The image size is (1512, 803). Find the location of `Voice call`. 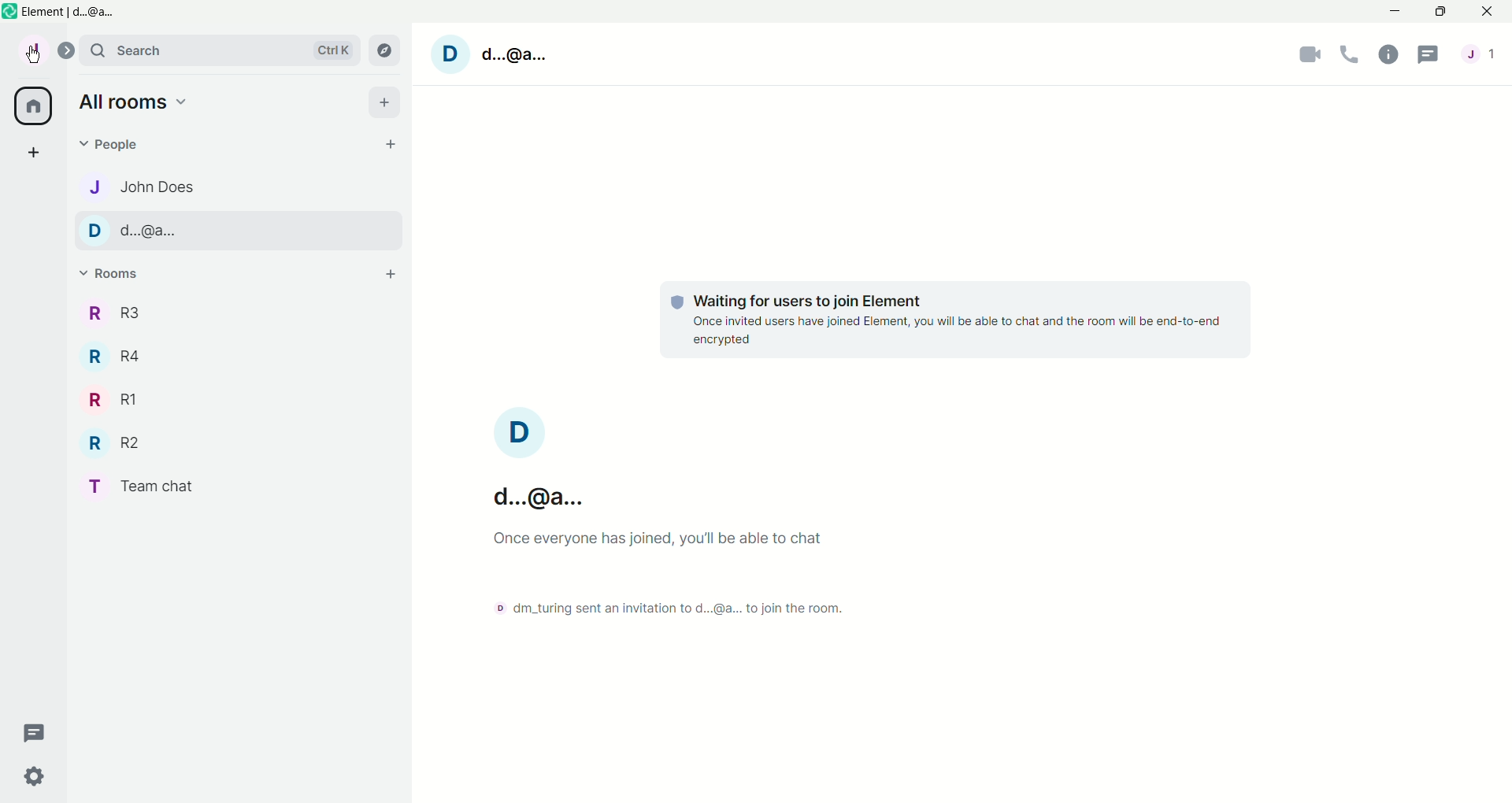

Voice call is located at coordinates (1350, 55).